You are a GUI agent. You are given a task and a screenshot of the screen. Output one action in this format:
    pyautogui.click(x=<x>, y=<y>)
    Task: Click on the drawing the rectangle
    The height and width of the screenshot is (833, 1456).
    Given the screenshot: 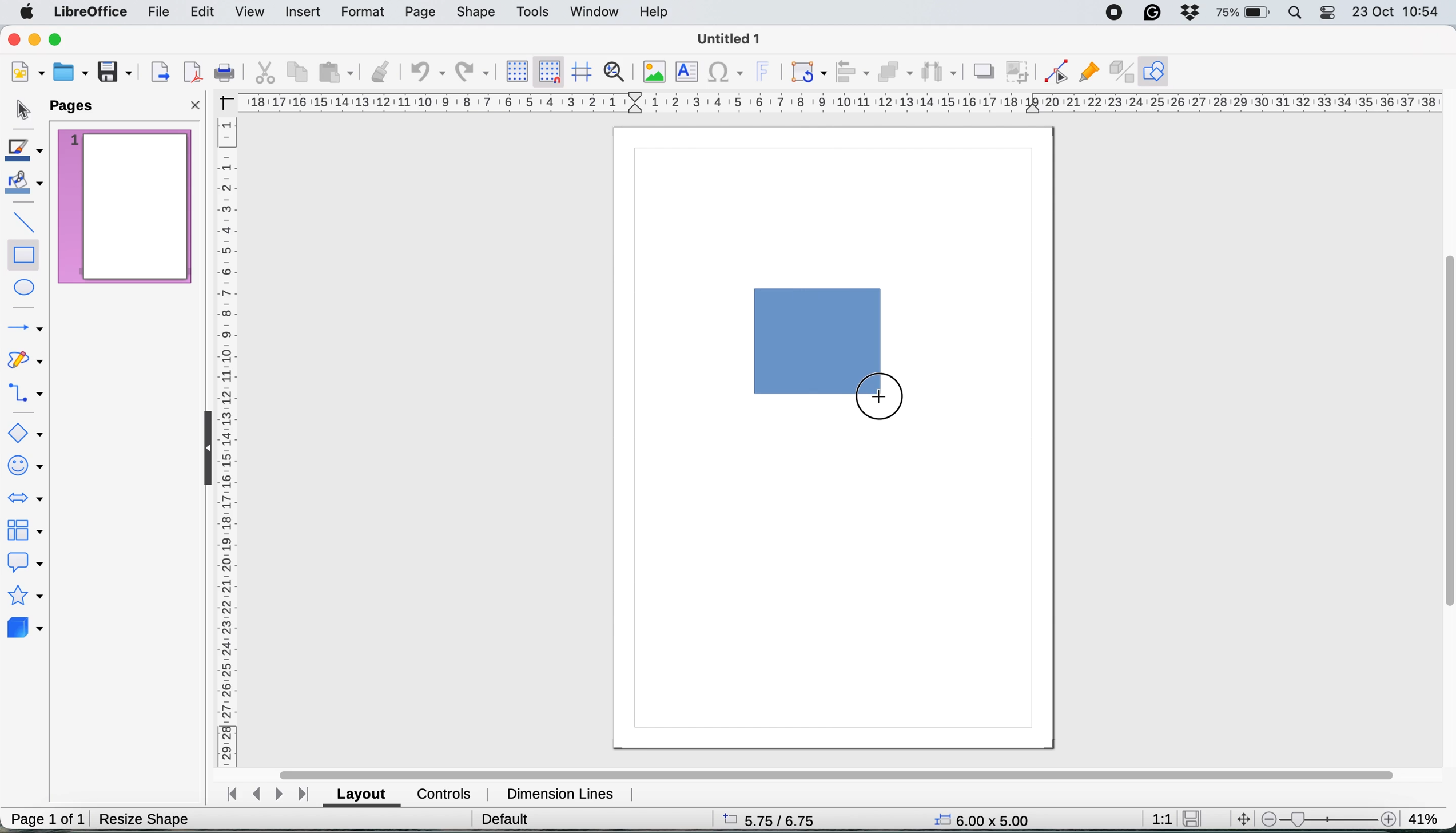 What is the action you would take?
    pyautogui.click(x=817, y=340)
    